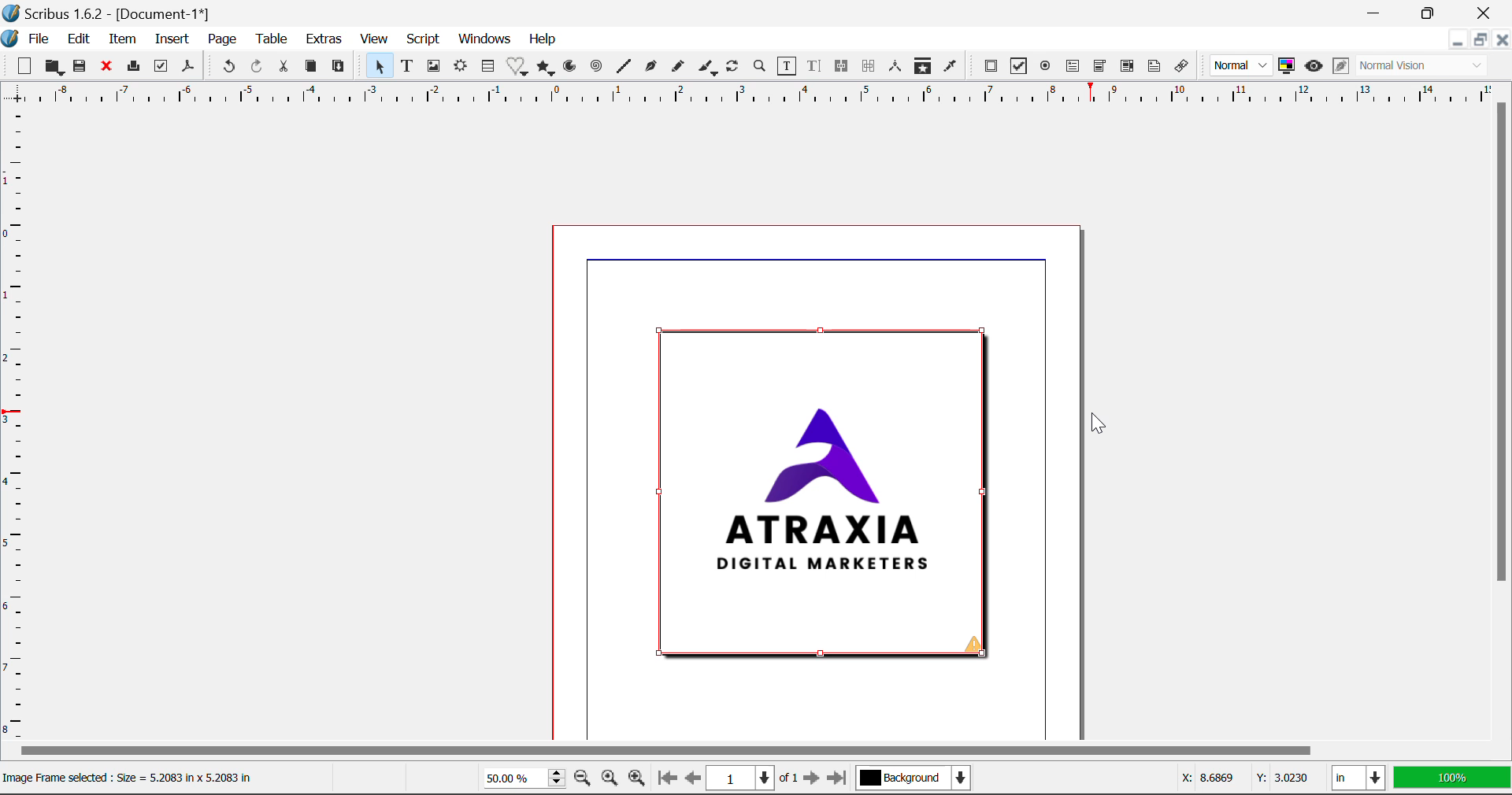 This screenshot has height=795, width=1512. Describe the element at coordinates (625, 68) in the screenshot. I see `Line` at that location.